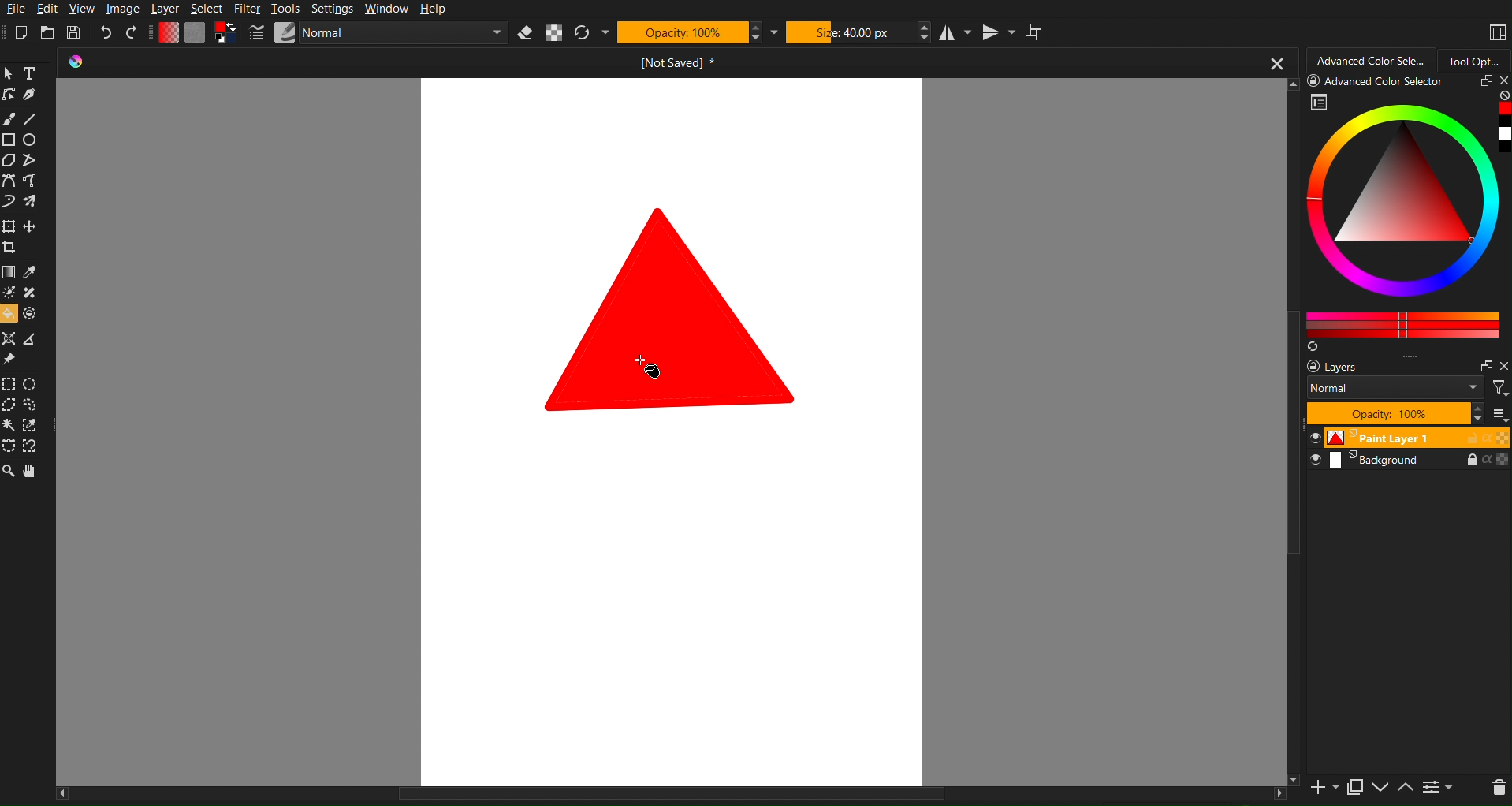  What do you see at coordinates (50, 9) in the screenshot?
I see `Edit` at bounding box center [50, 9].